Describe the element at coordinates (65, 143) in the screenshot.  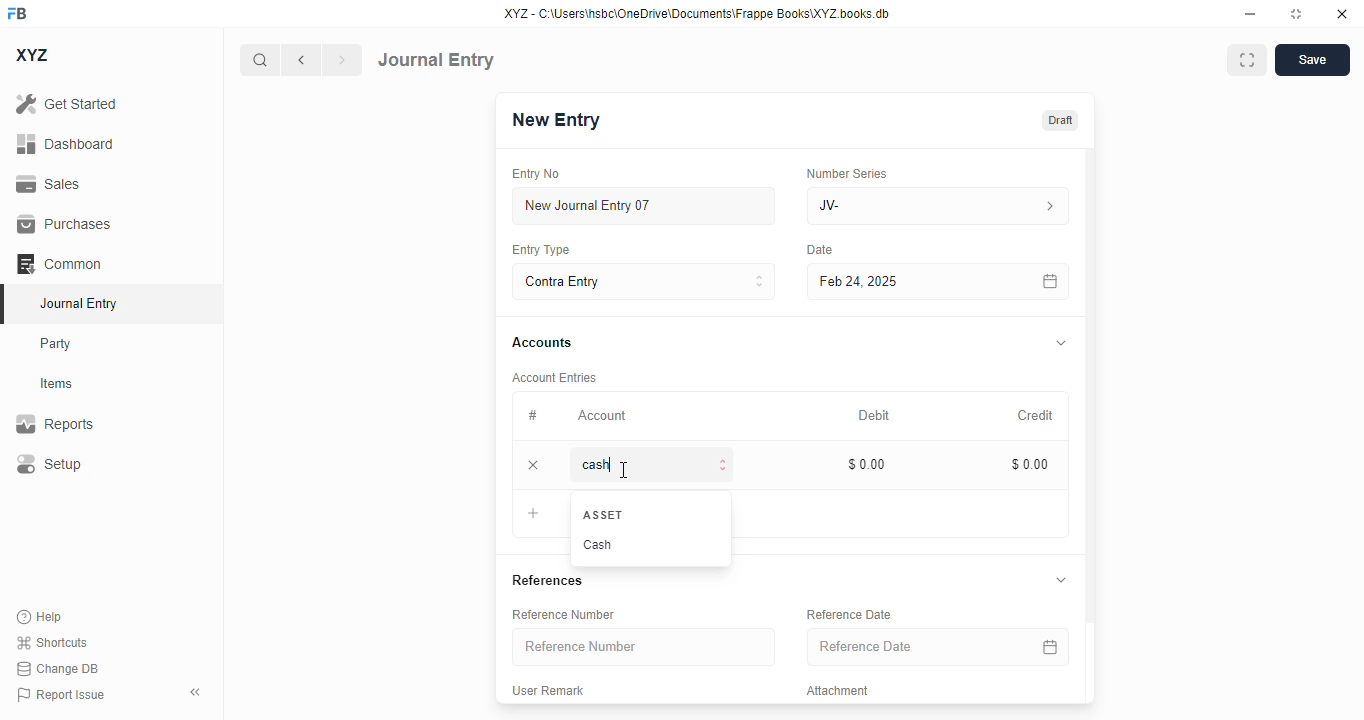
I see `dashboard` at that location.